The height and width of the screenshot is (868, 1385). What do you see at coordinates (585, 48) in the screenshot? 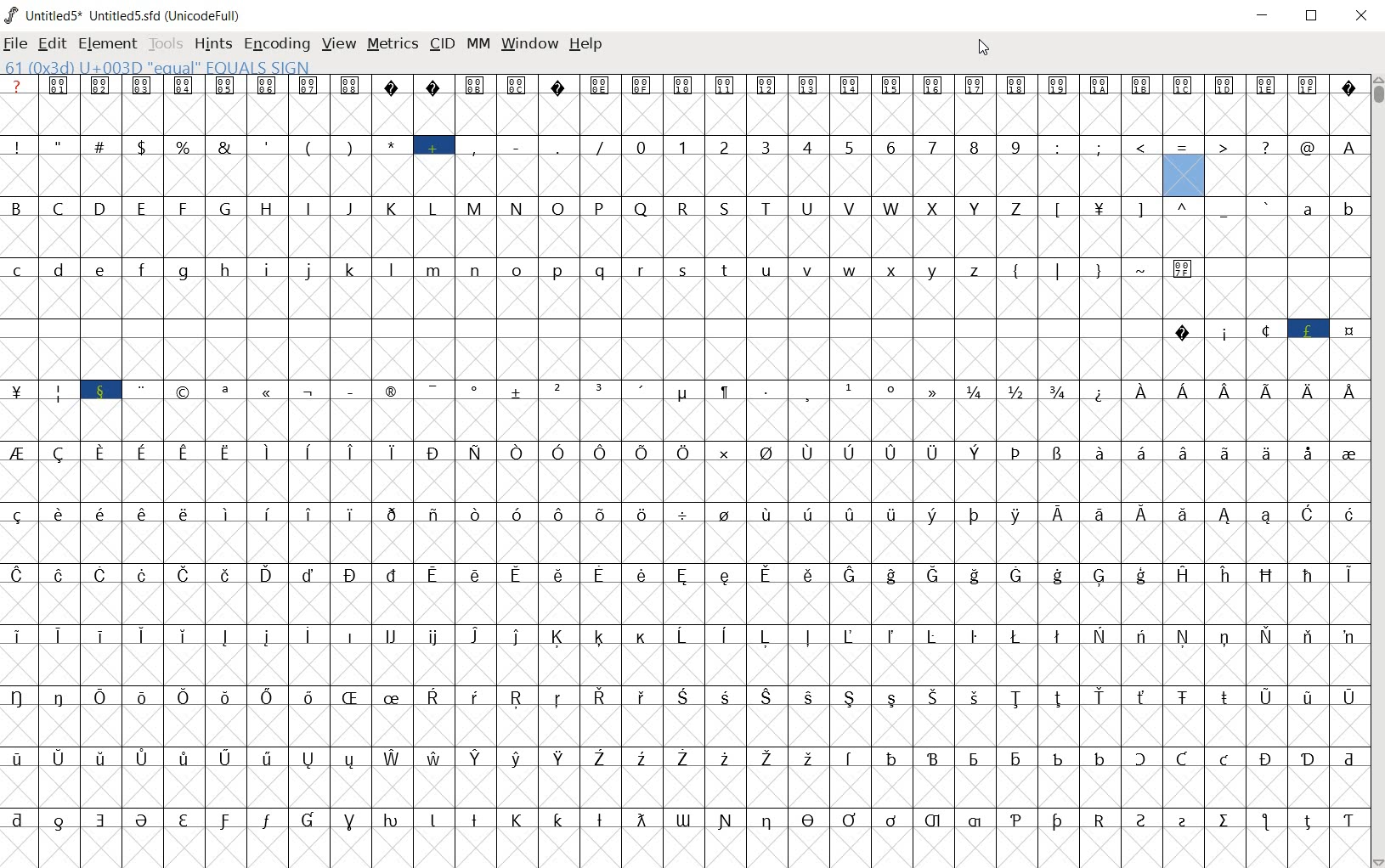
I see `help` at bounding box center [585, 48].